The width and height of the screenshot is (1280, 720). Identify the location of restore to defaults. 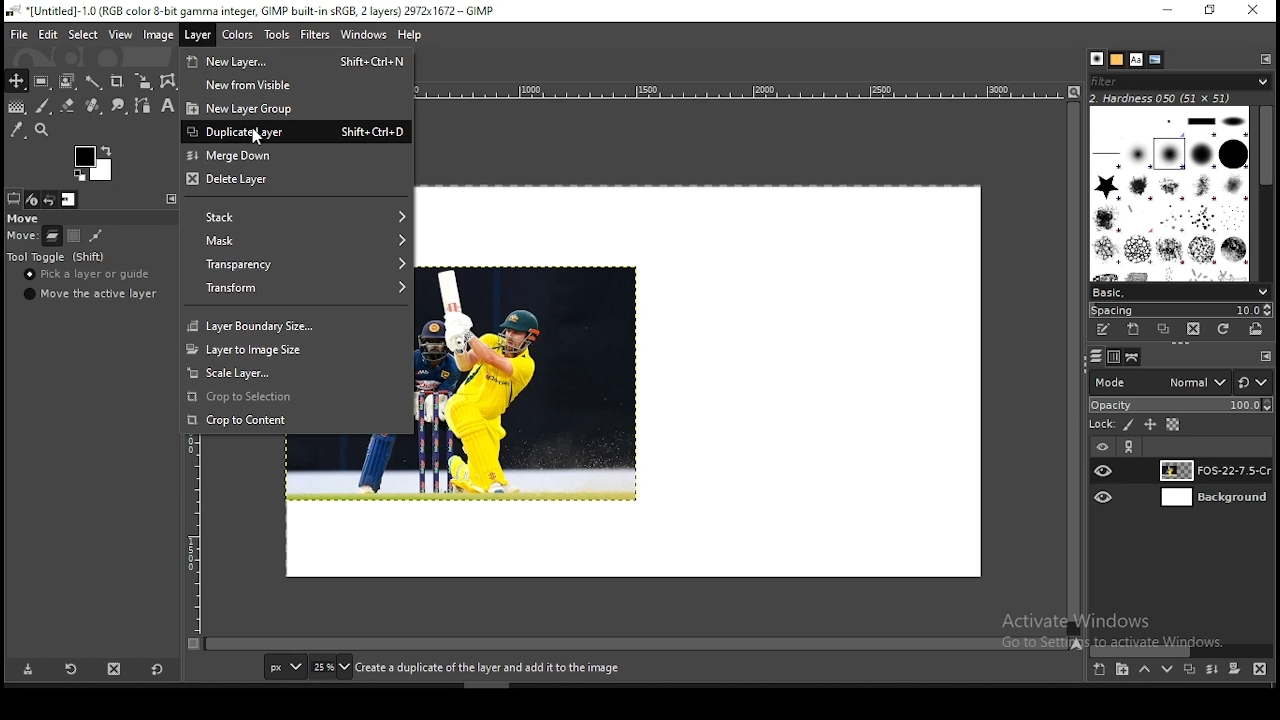
(159, 668).